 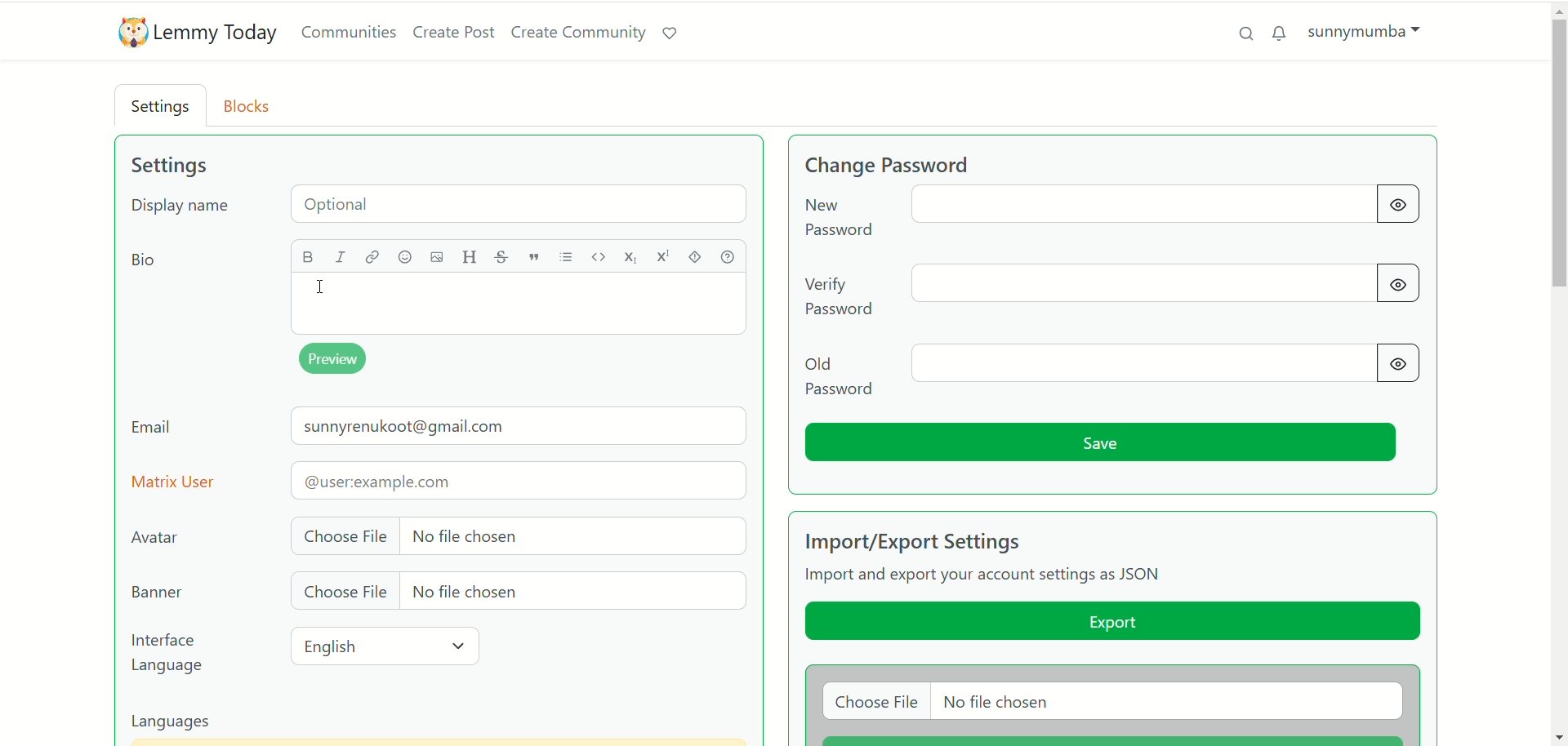 I want to click on preview, so click(x=337, y=360).